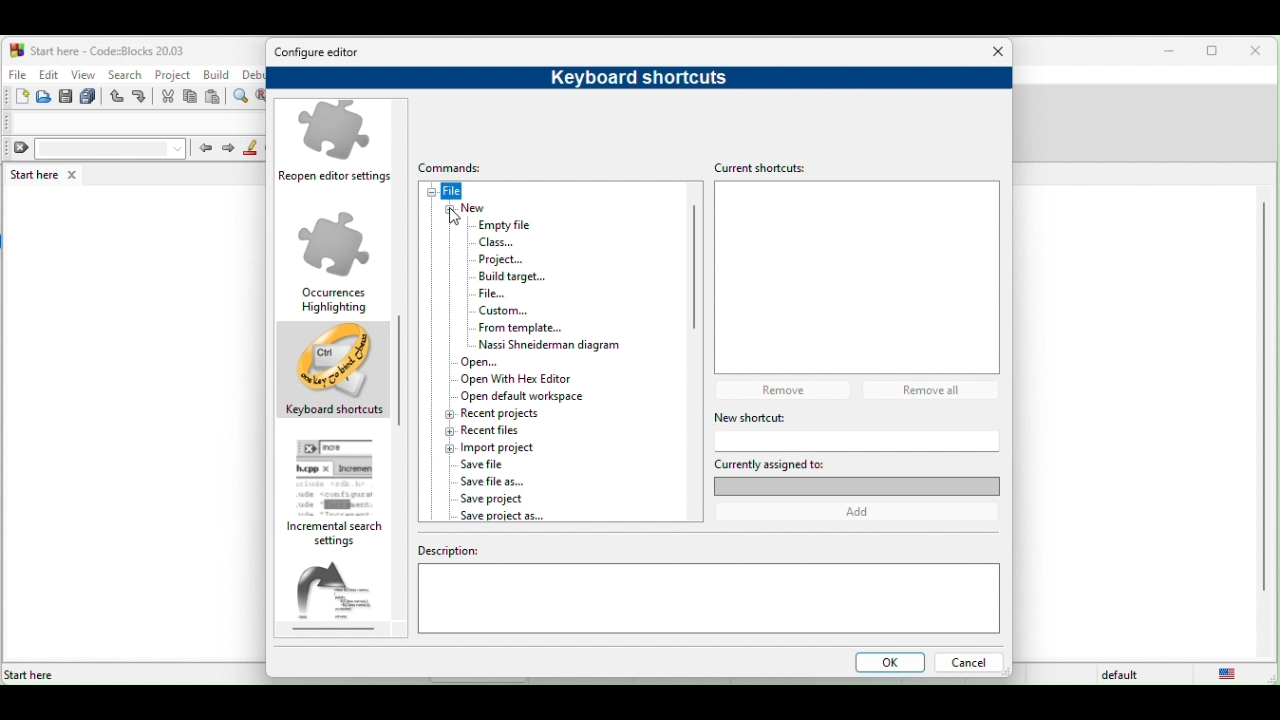  What do you see at coordinates (16, 72) in the screenshot?
I see `file` at bounding box center [16, 72].